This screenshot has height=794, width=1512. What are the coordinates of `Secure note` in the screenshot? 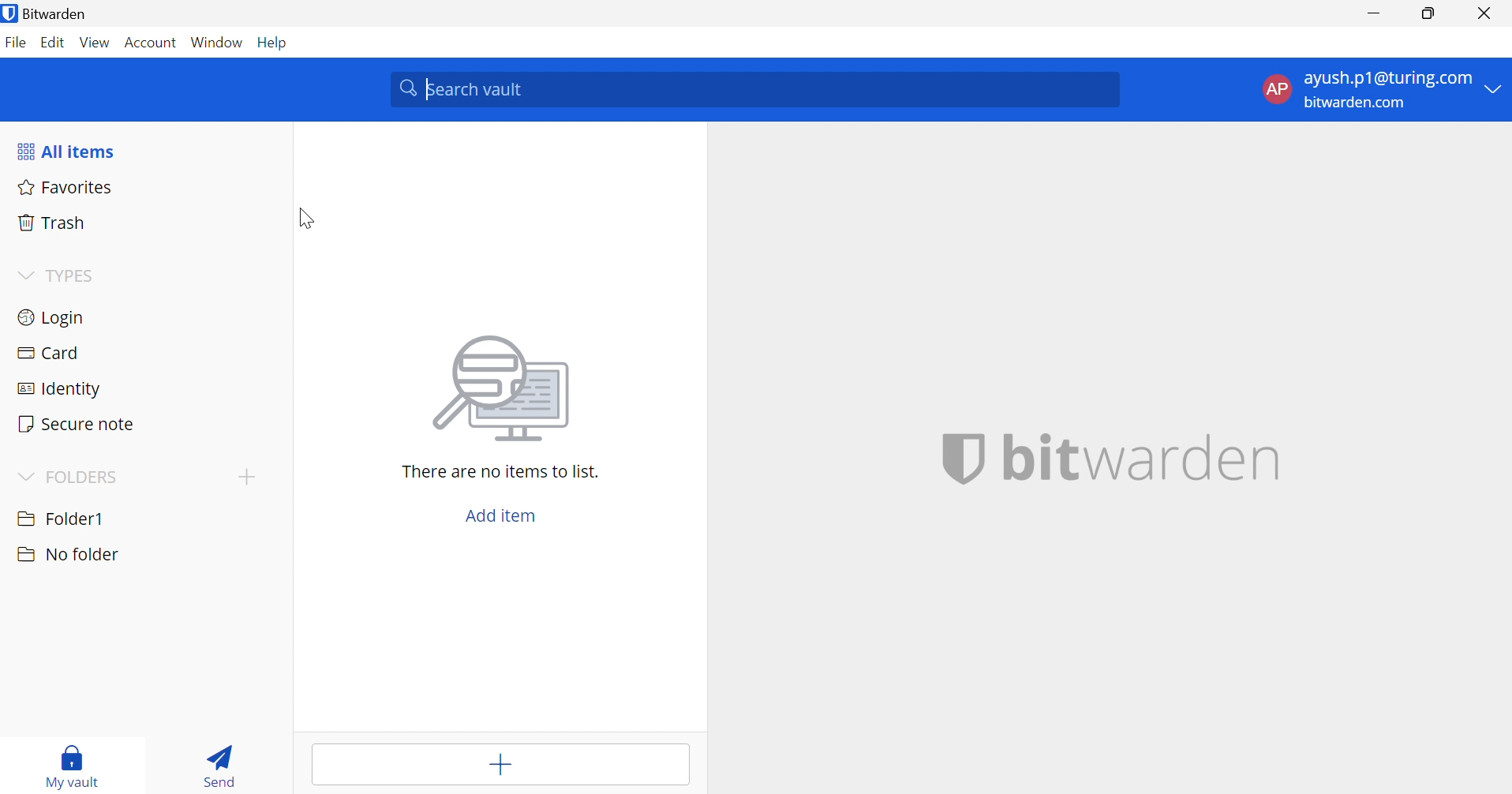 It's located at (80, 424).